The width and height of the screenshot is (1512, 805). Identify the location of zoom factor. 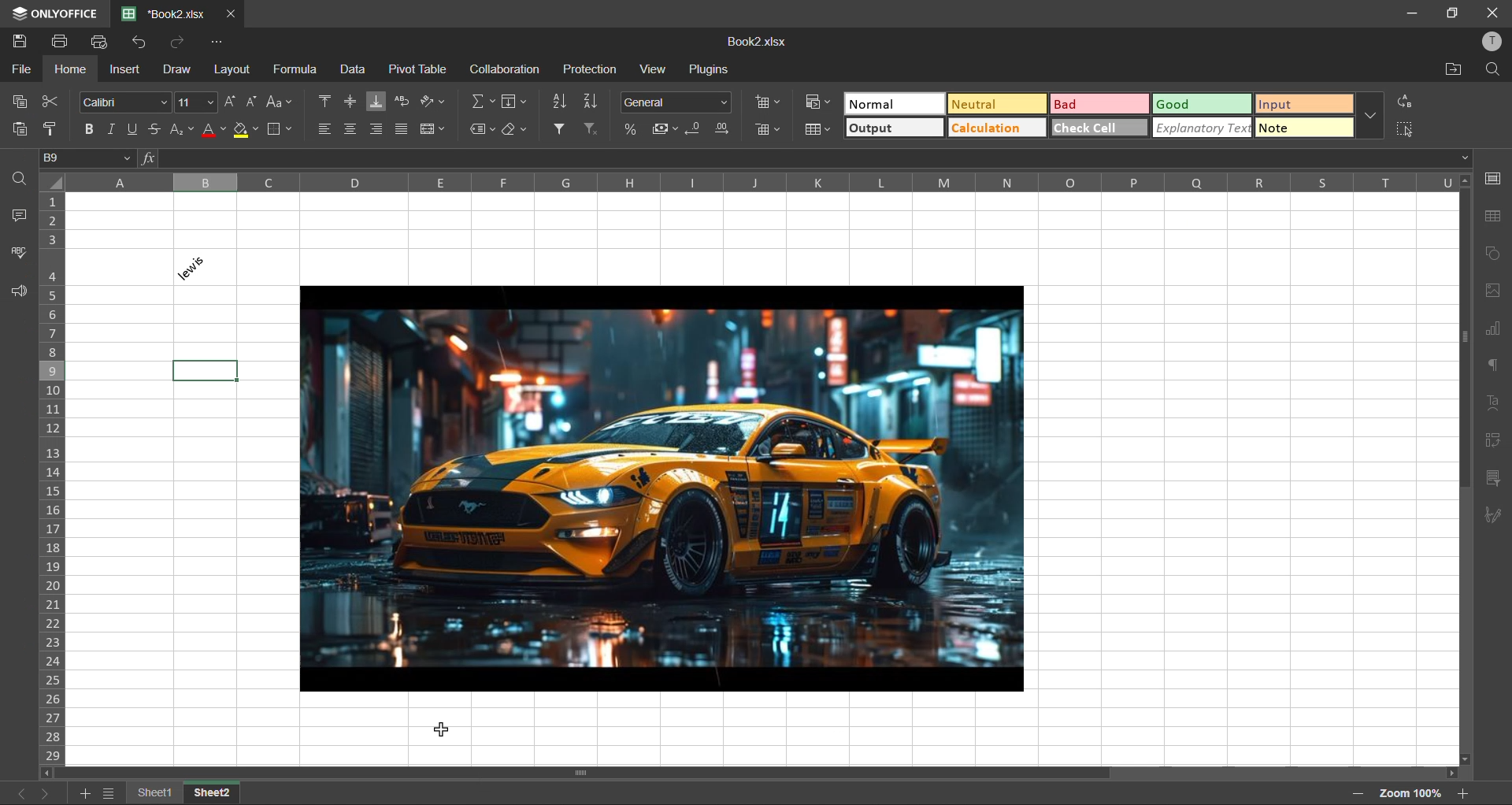
(1415, 793).